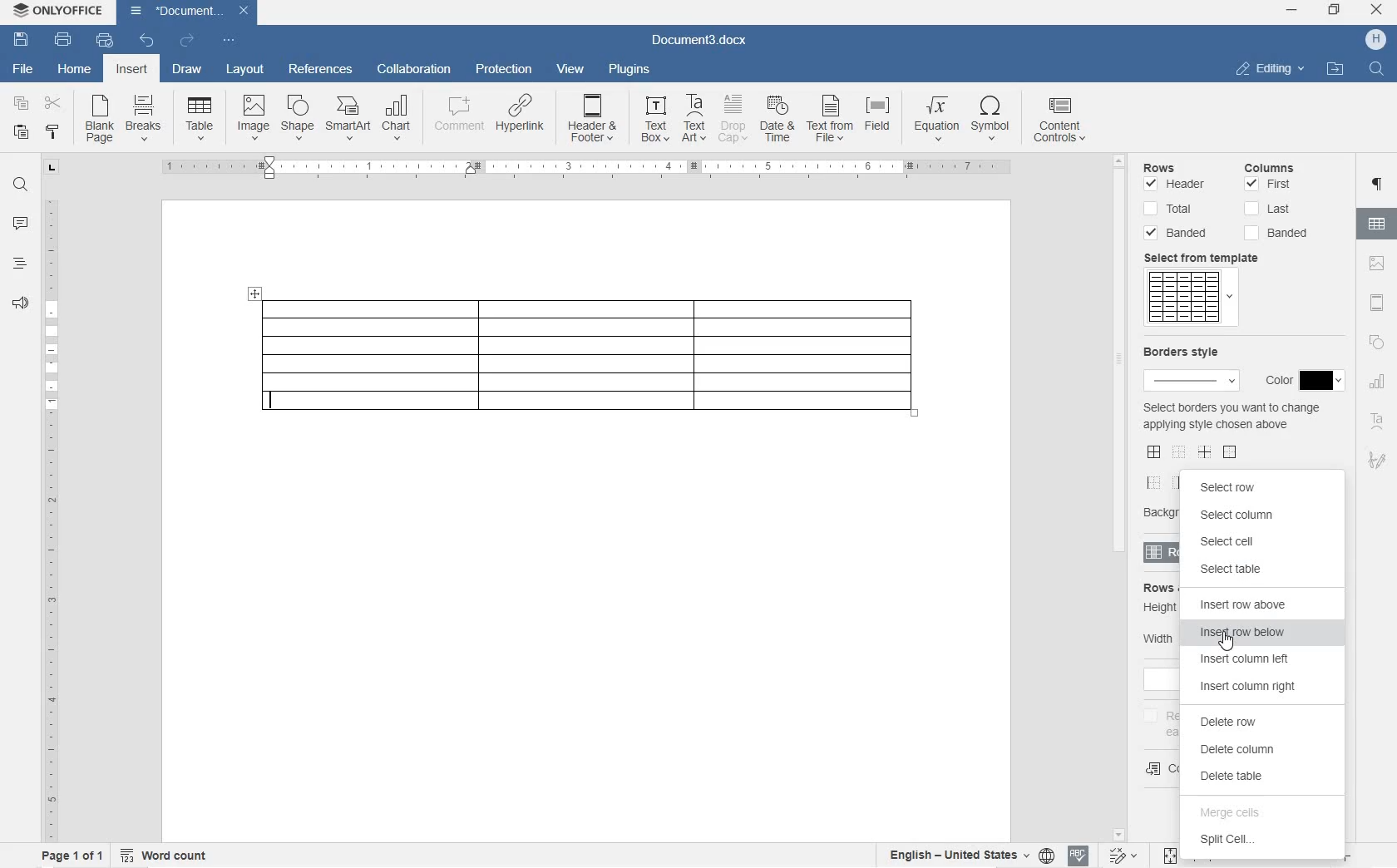  What do you see at coordinates (734, 119) in the screenshot?
I see `DROP CAP` at bounding box center [734, 119].